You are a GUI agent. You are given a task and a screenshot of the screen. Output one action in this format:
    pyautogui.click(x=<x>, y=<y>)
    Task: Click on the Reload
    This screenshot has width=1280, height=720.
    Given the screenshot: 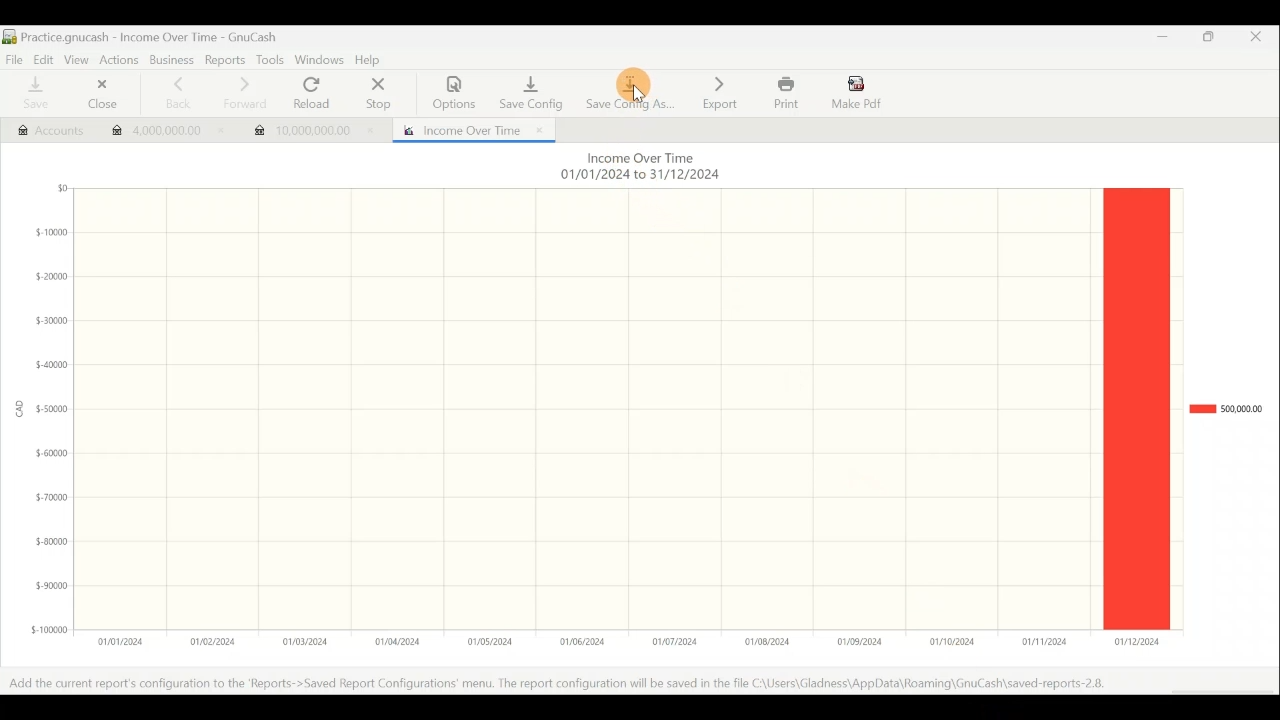 What is the action you would take?
    pyautogui.click(x=316, y=94)
    